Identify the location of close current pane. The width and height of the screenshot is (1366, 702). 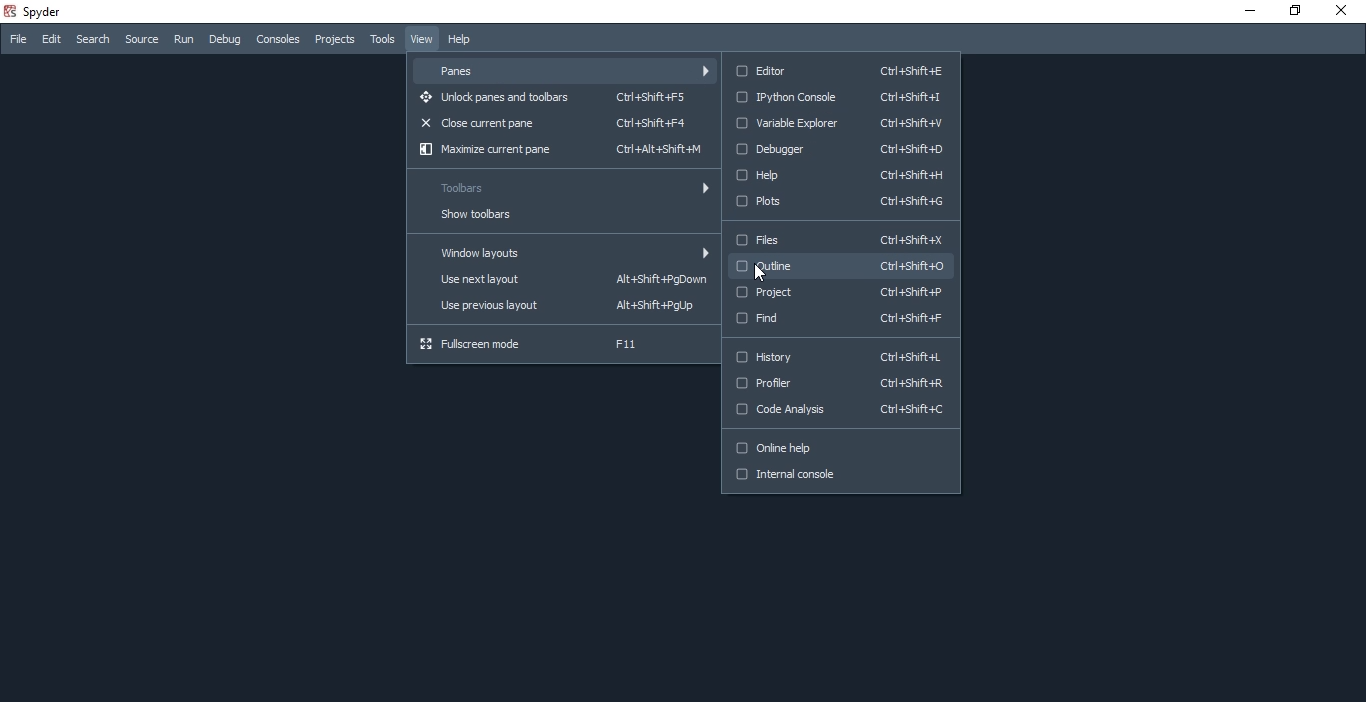
(564, 122).